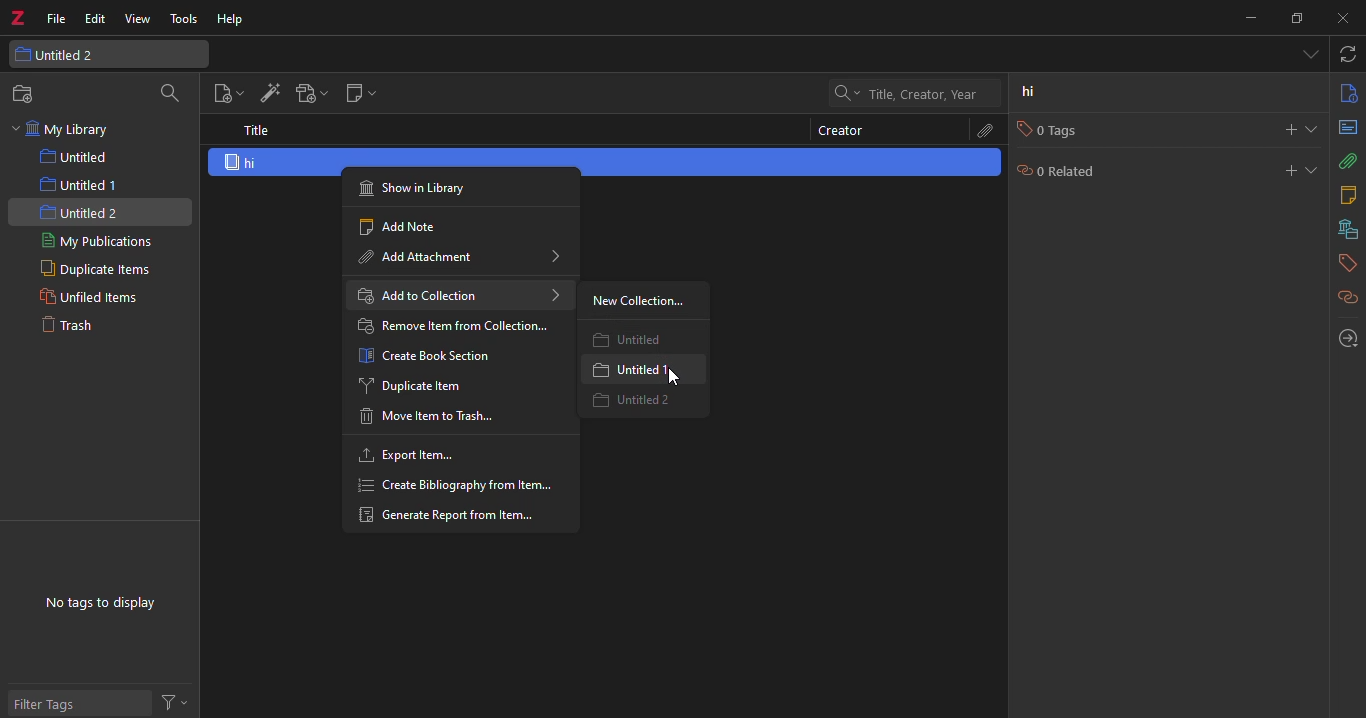 The width and height of the screenshot is (1366, 718). I want to click on create bibliography from item, so click(456, 485).